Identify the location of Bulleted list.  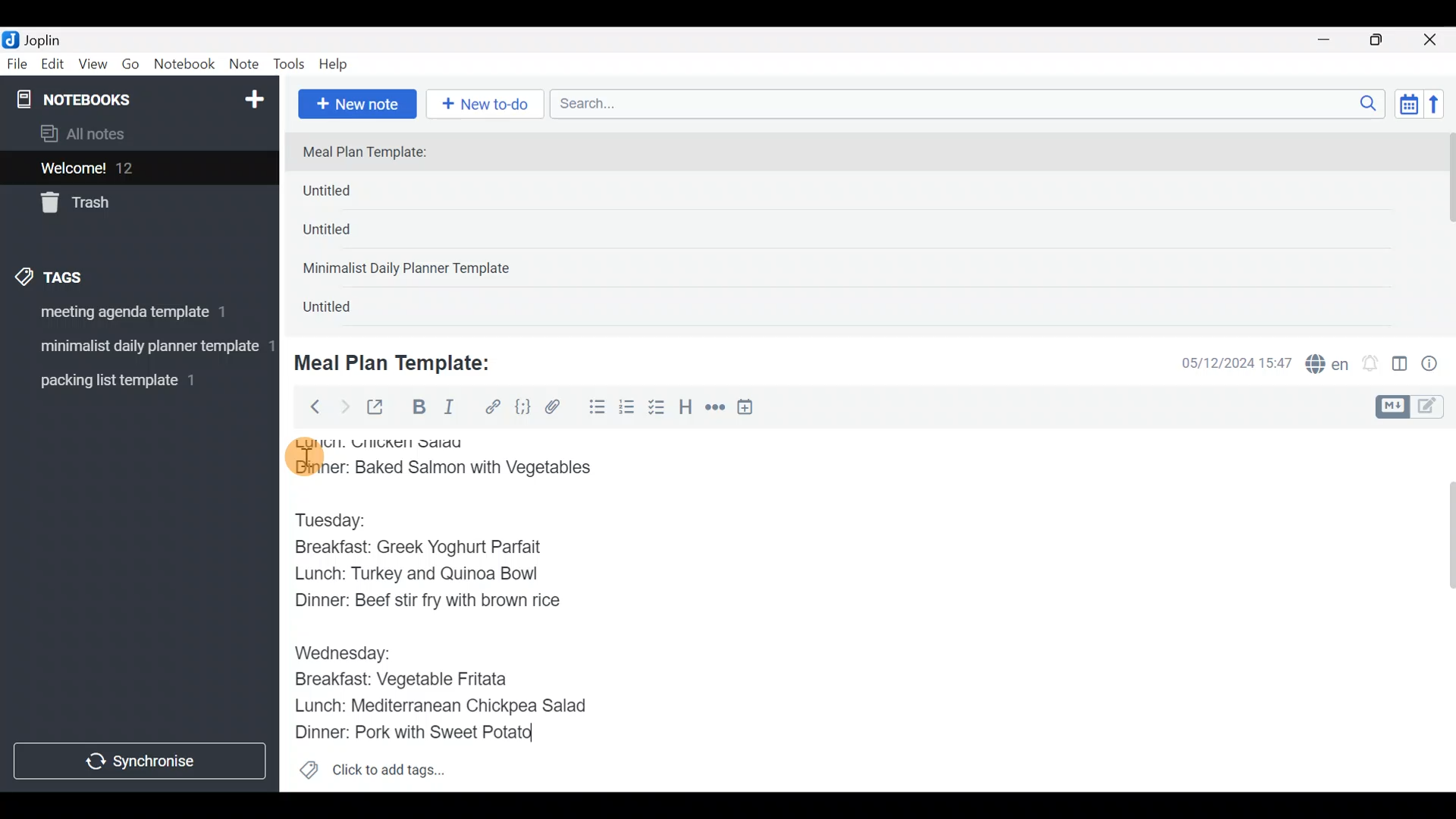
(594, 408).